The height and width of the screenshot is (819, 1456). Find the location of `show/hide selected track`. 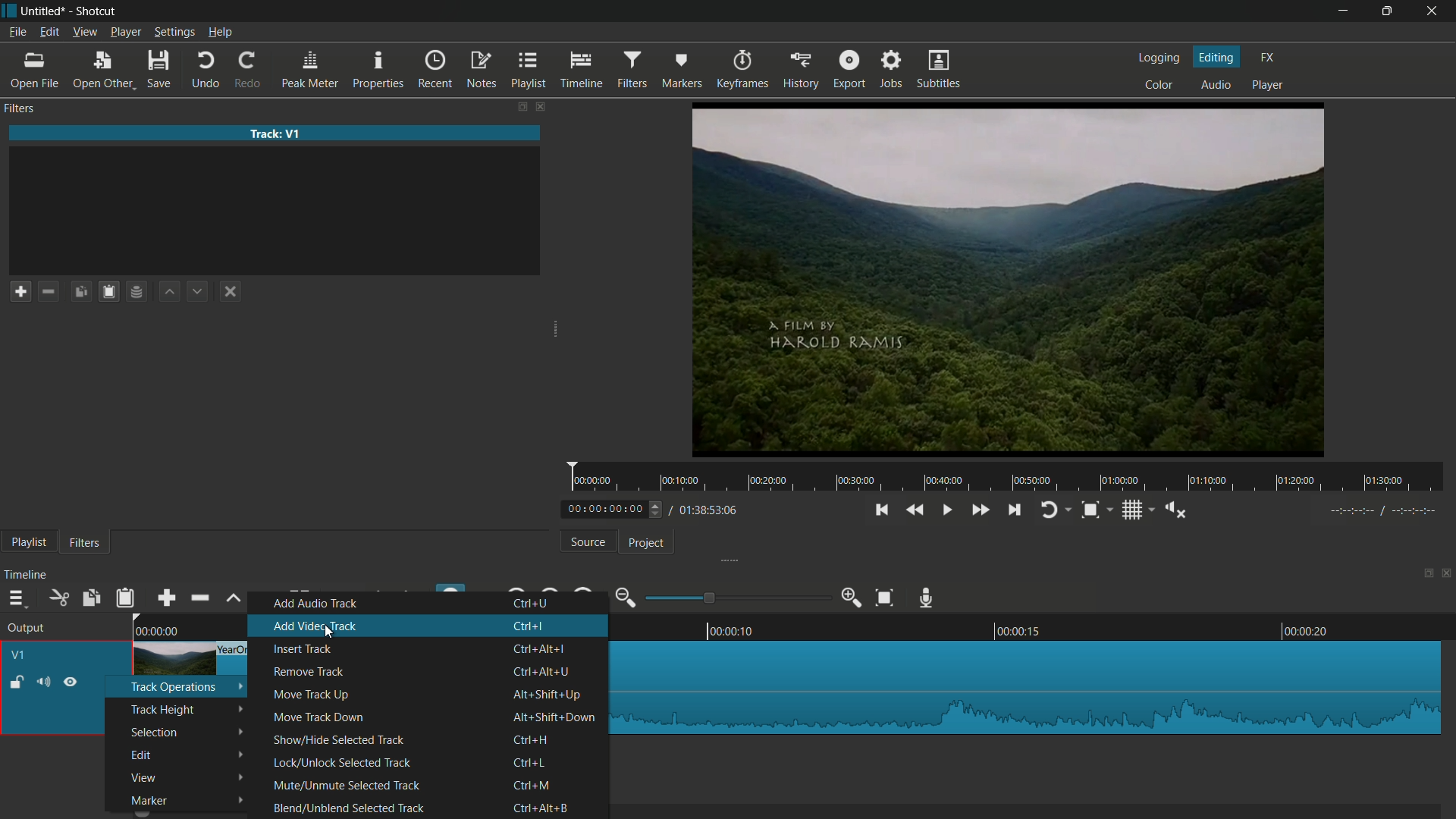

show/hide selected track is located at coordinates (336, 741).